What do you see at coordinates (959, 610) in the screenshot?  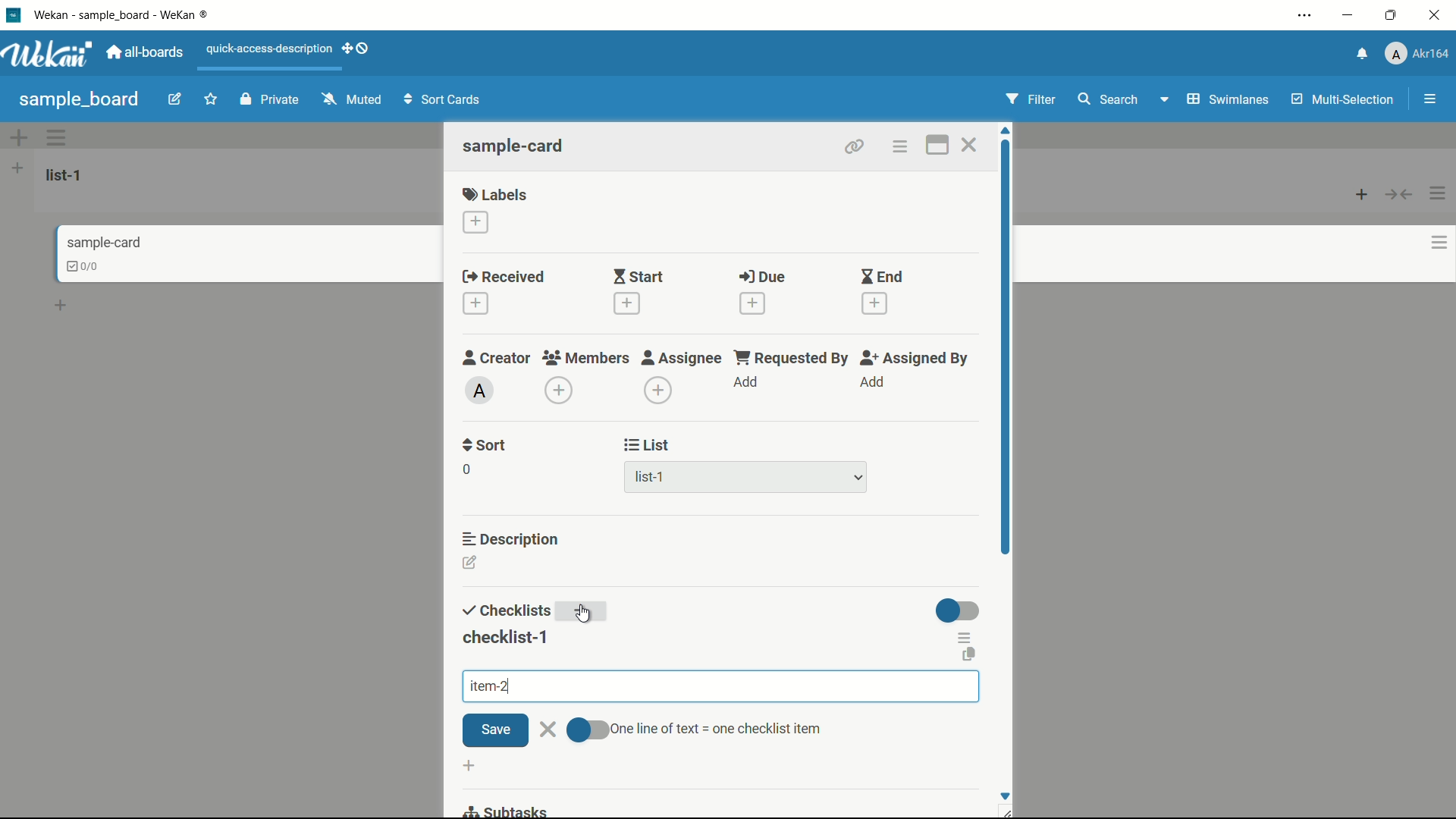 I see `toggle button` at bounding box center [959, 610].